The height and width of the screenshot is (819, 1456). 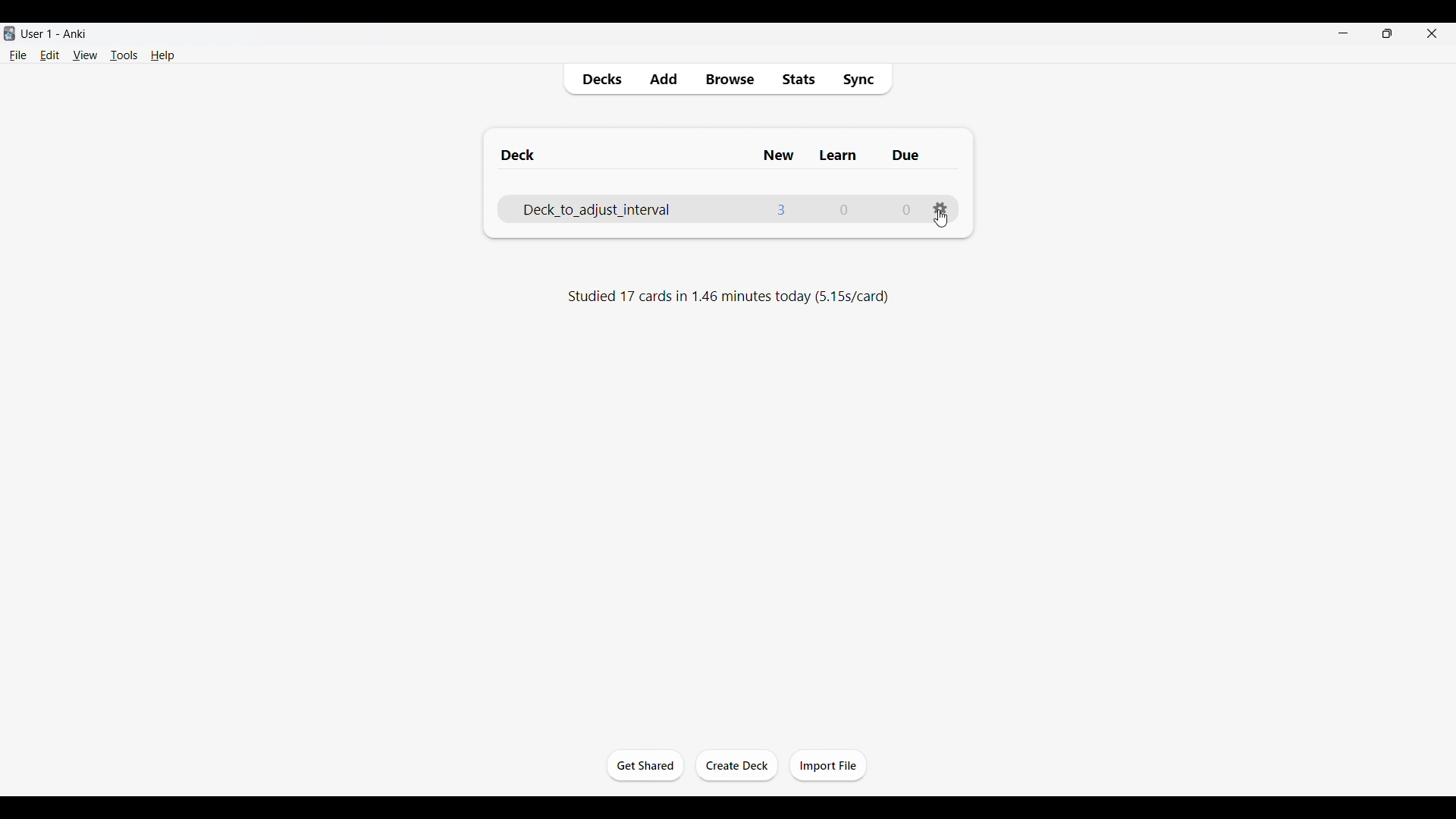 I want to click on Import file, so click(x=827, y=766).